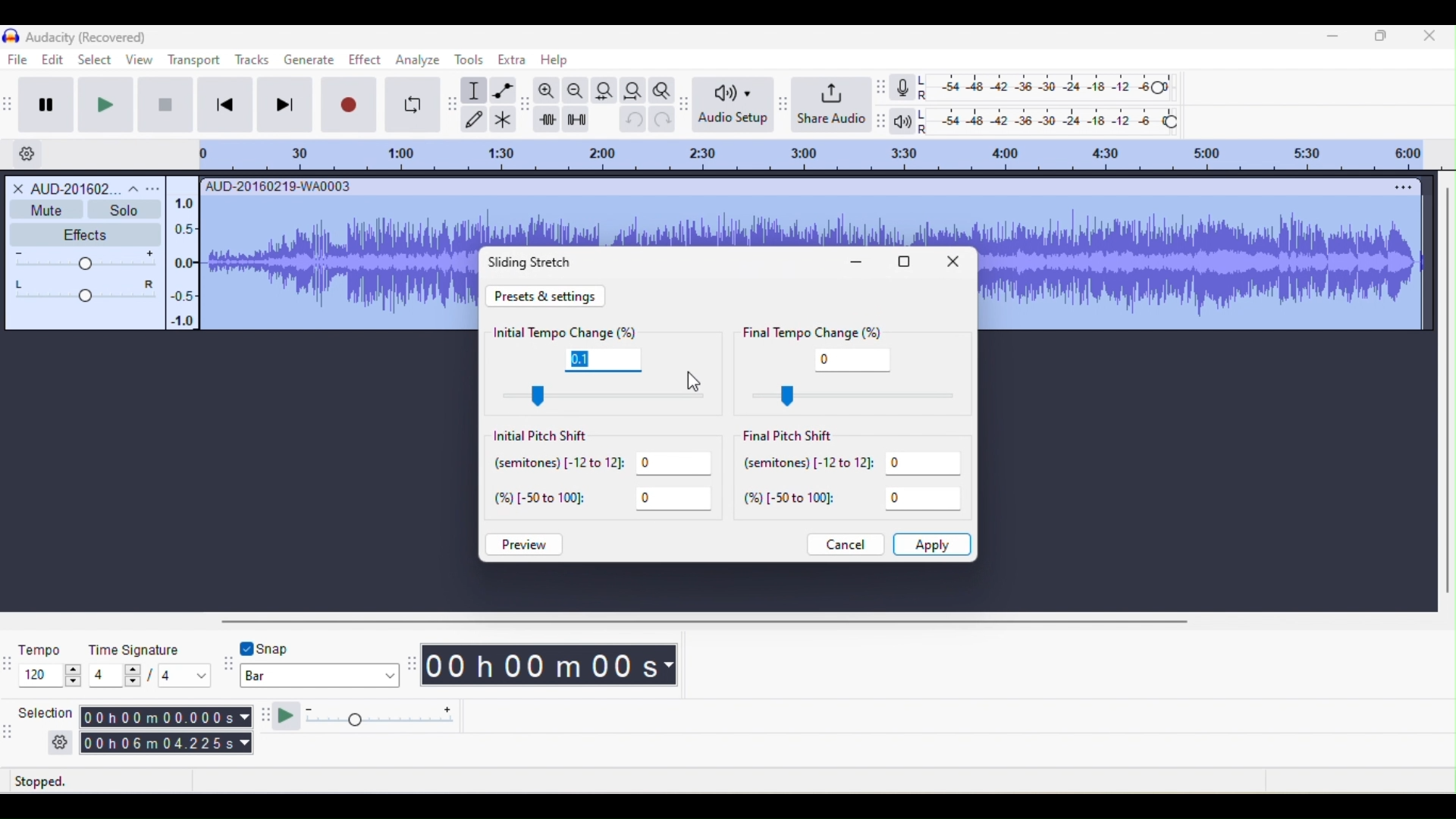  What do you see at coordinates (537, 262) in the screenshot?
I see `sliding stretch` at bounding box center [537, 262].